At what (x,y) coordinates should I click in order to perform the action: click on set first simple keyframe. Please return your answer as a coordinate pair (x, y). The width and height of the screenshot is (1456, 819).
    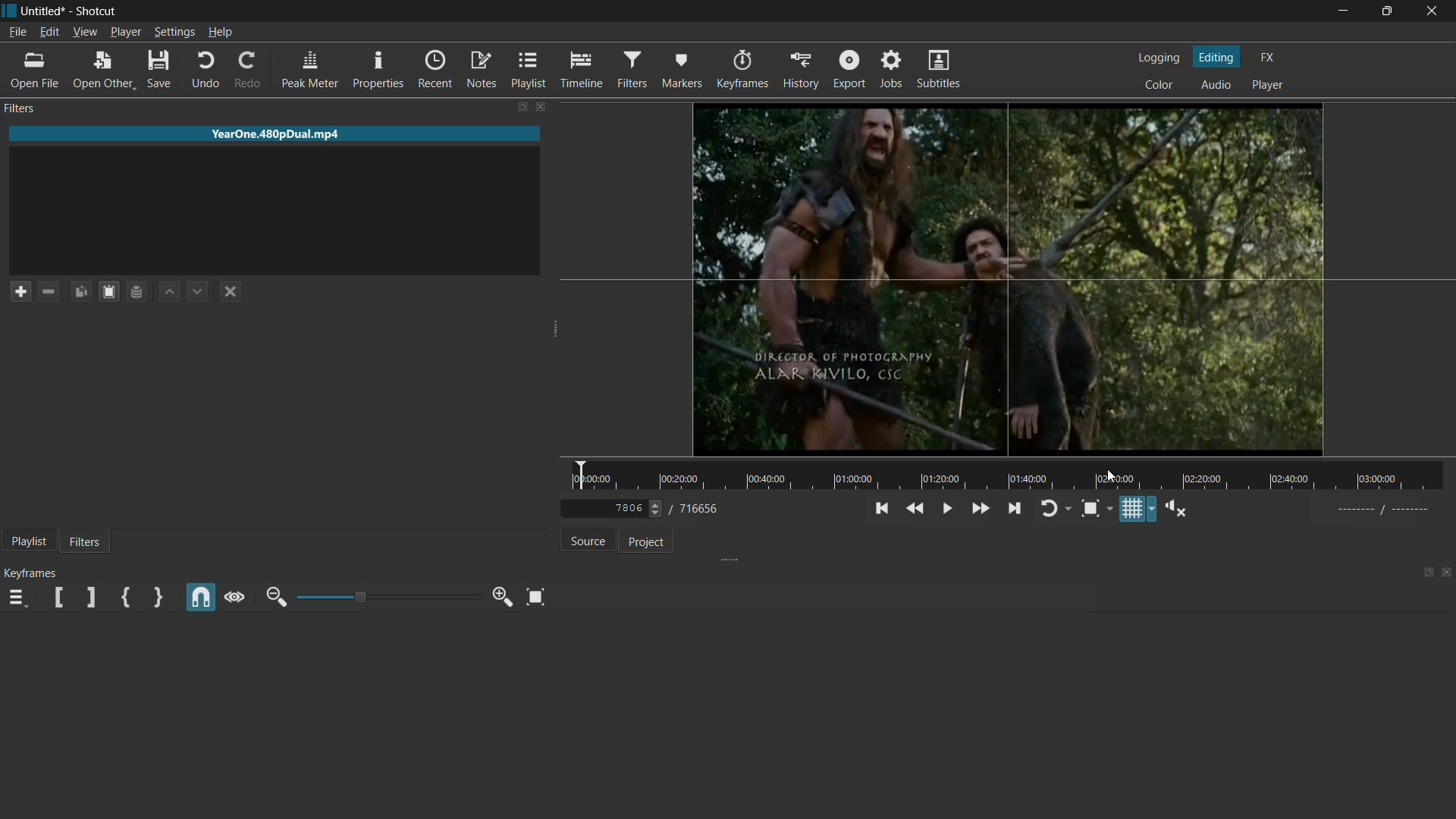
    Looking at the image, I should click on (124, 598).